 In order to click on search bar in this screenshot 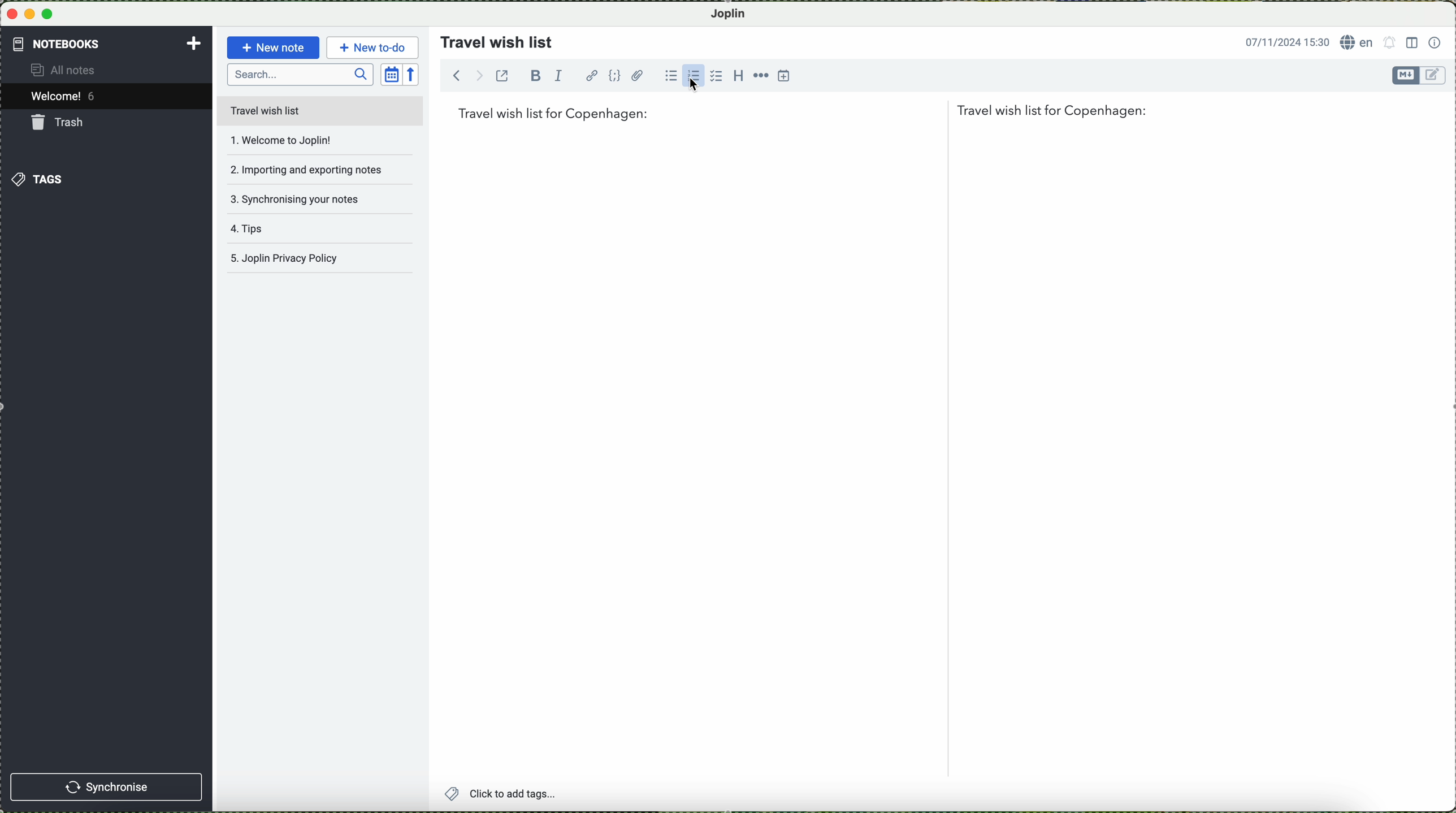, I will do `click(300, 75)`.